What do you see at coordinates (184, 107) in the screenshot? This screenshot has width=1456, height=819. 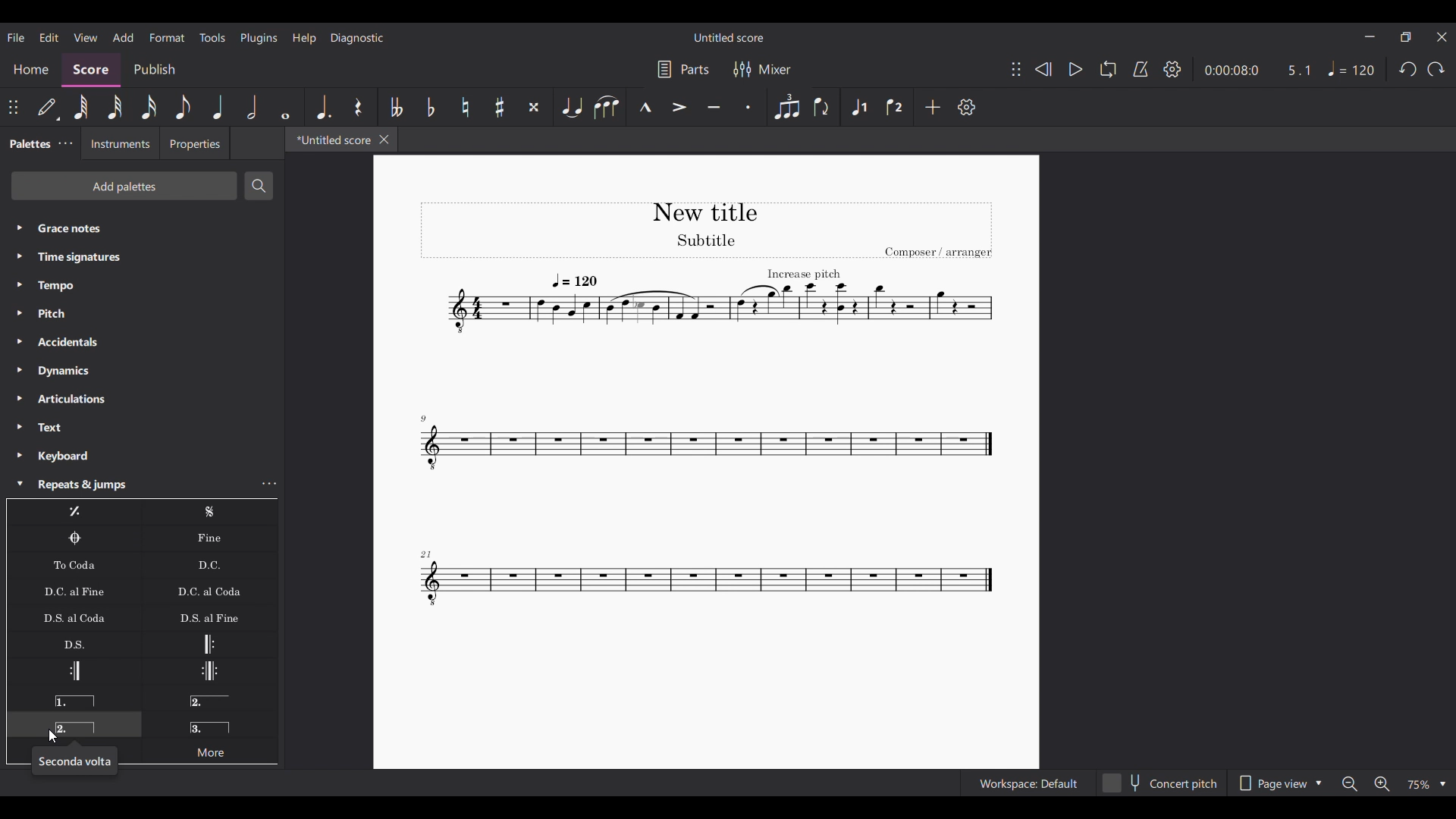 I see `8th note` at bounding box center [184, 107].